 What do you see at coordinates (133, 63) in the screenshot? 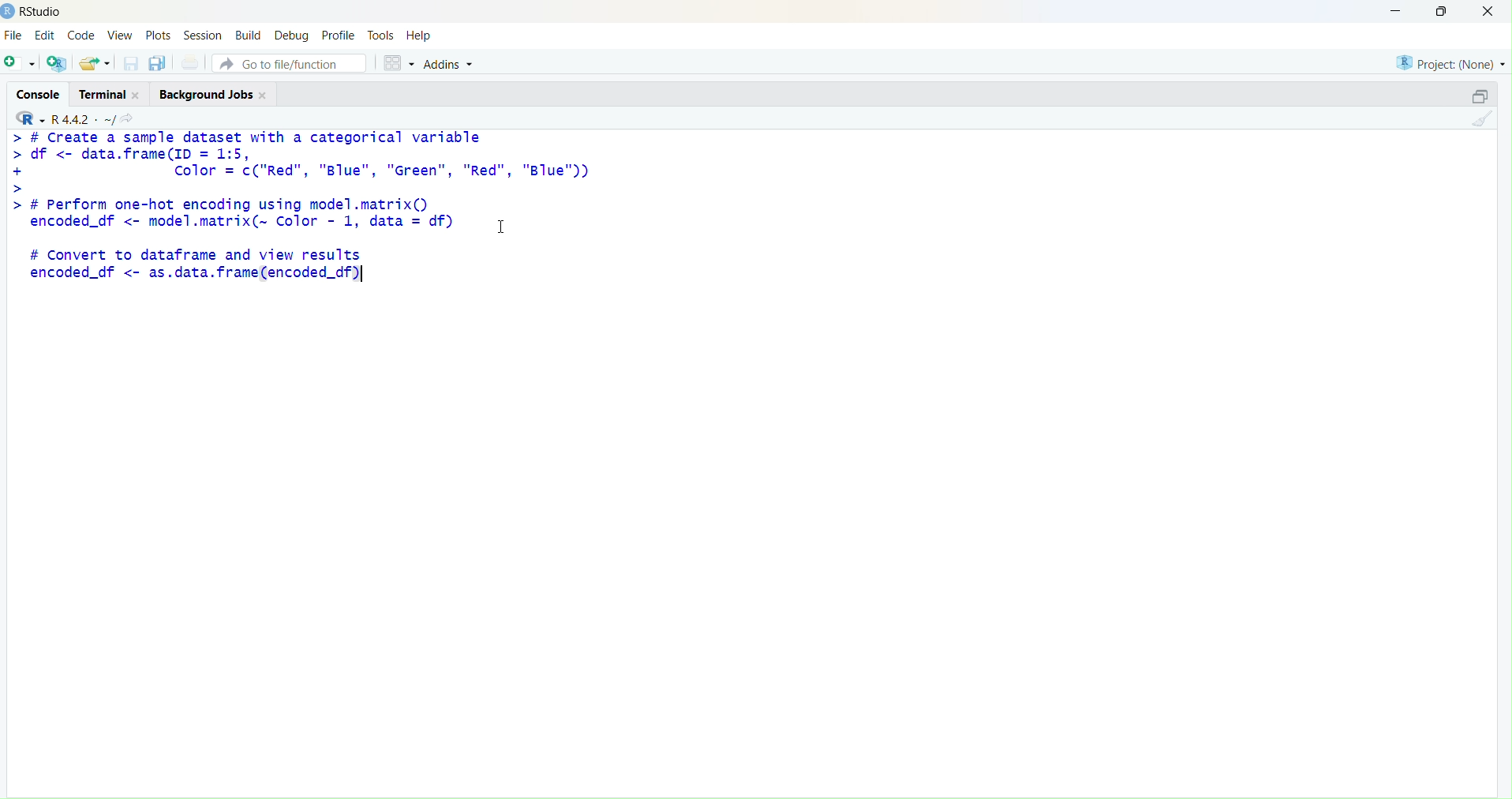
I see `save` at bounding box center [133, 63].